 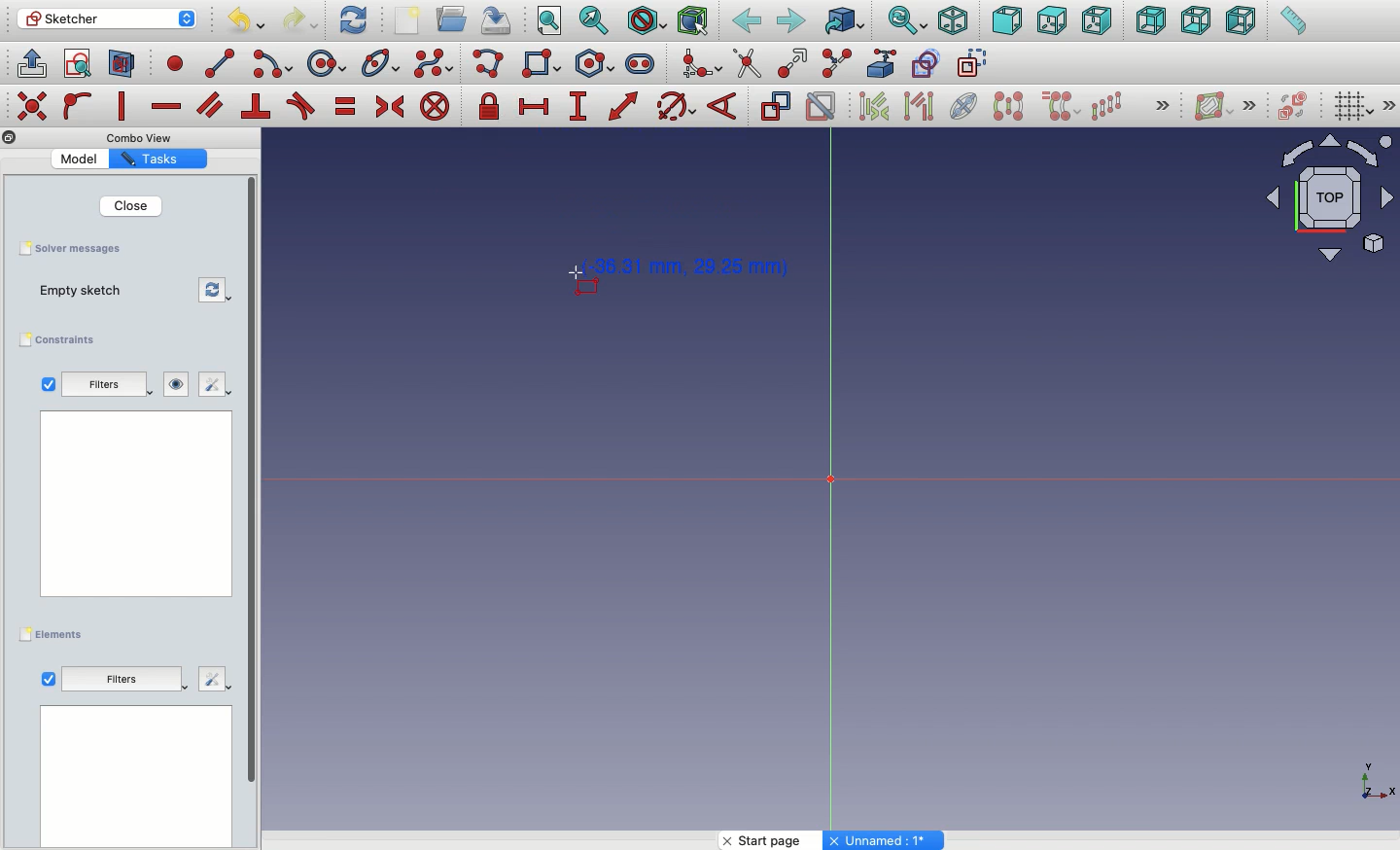 What do you see at coordinates (171, 62) in the screenshot?
I see `point` at bounding box center [171, 62].